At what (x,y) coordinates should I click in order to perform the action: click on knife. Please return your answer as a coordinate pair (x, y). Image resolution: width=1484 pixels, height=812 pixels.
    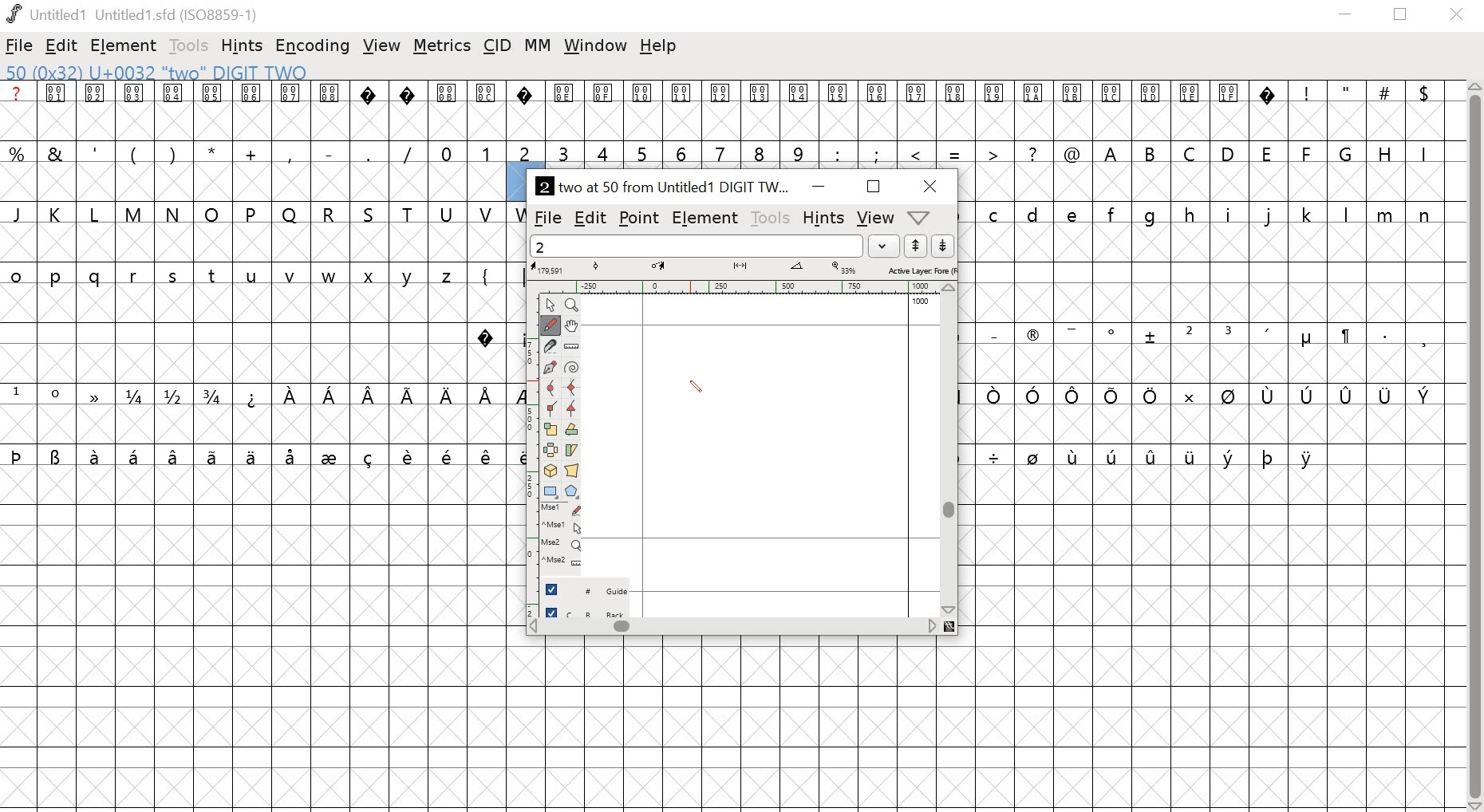
    Looking at the image, I should click on (552, 348).